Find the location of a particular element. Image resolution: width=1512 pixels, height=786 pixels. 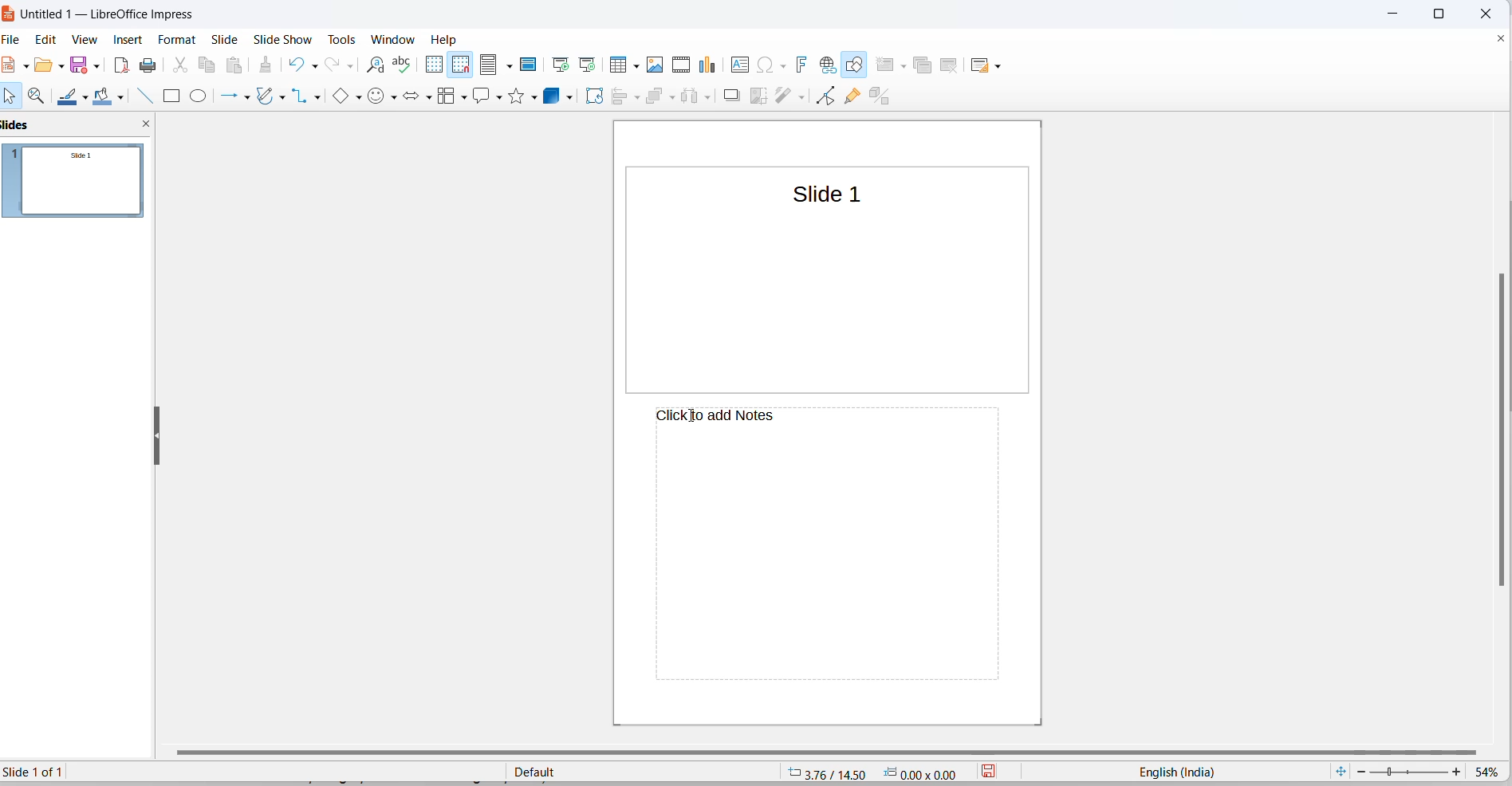

slides and close slideview is located at coordinates (77, 125).